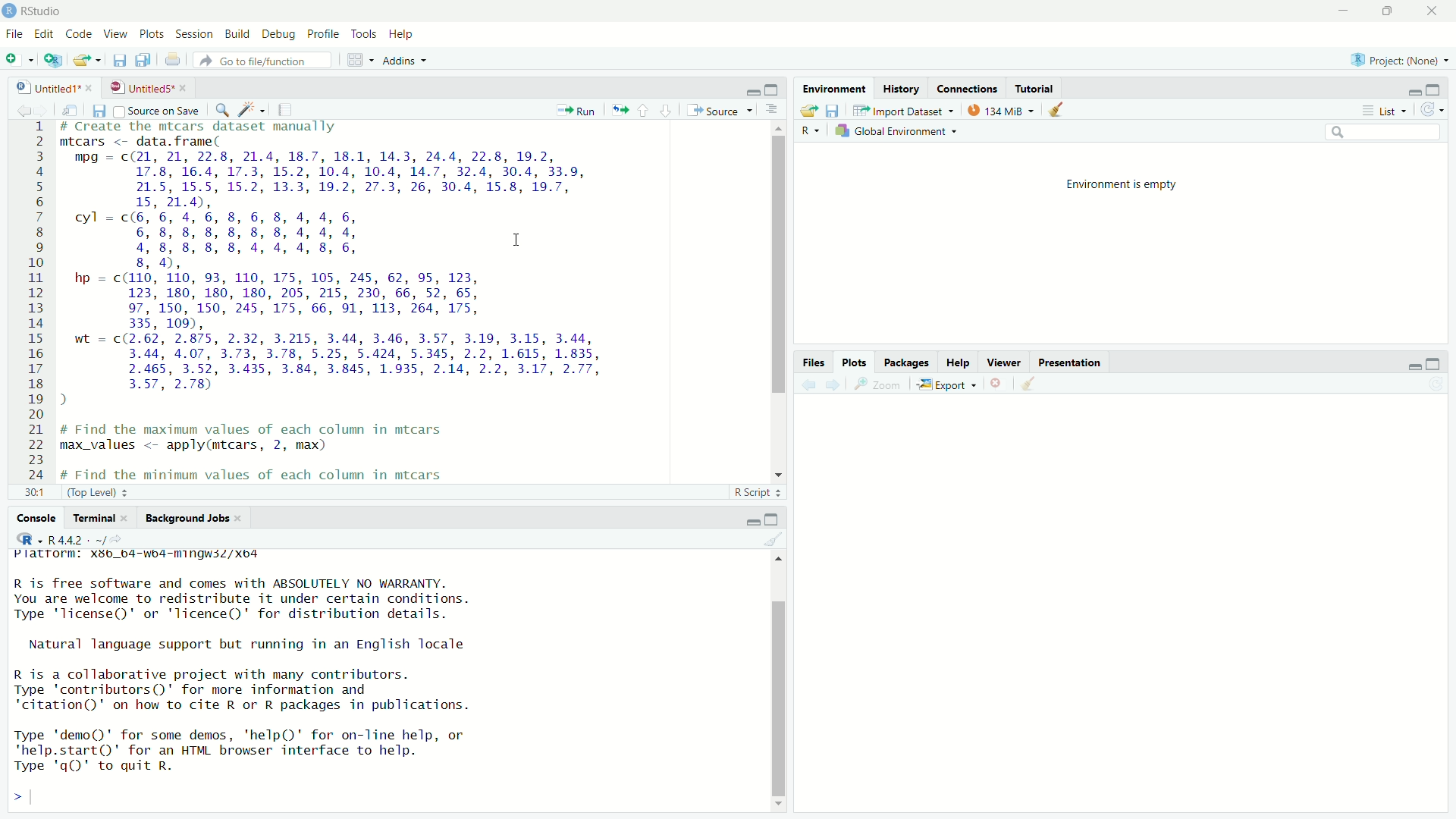 Image resolution: width=1456 pixels, height=819 pixels. Describe the element at coordinates (284, 109) in the screenshot. I see `notes` at that location.